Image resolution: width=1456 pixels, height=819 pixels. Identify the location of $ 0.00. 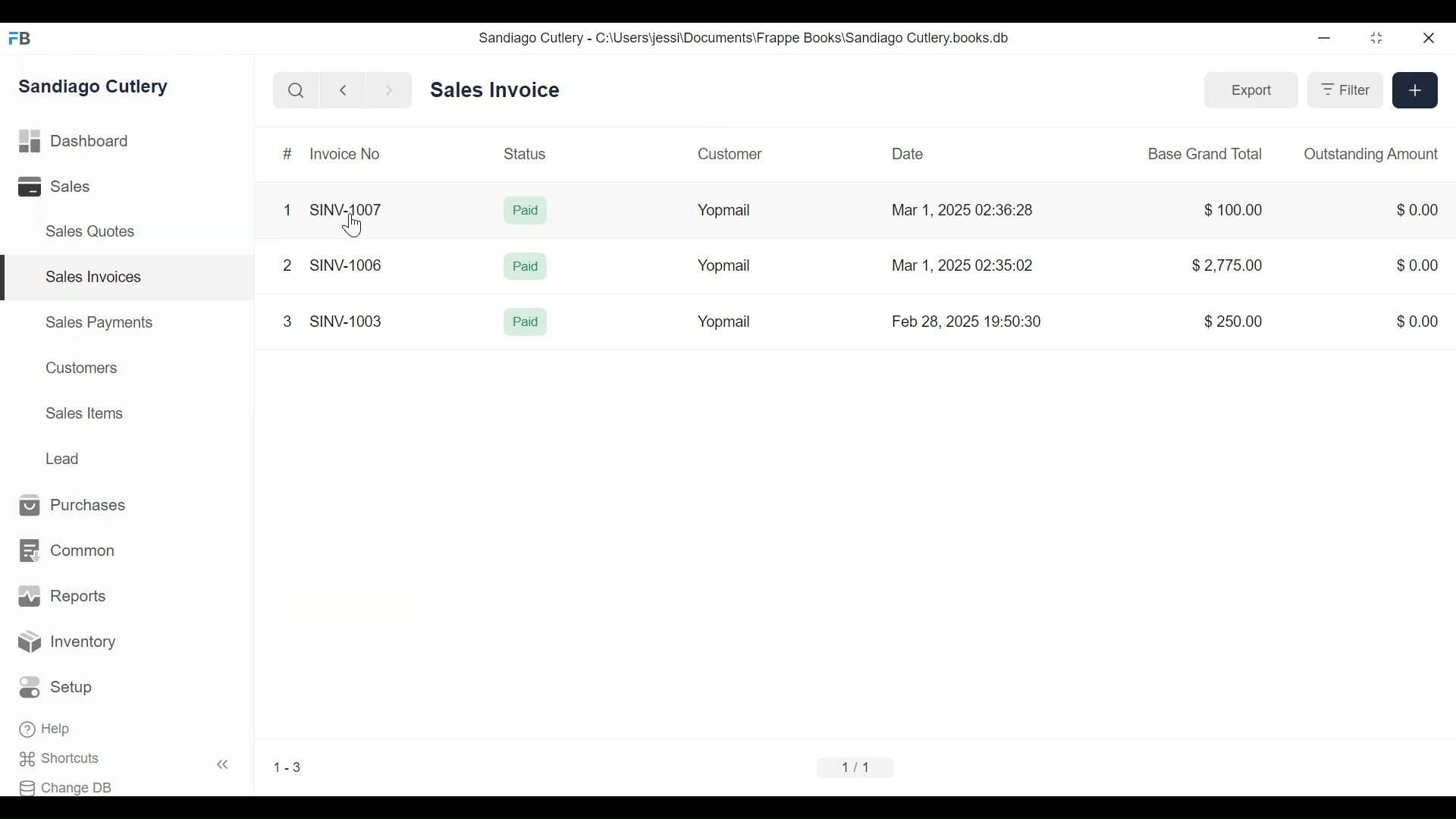
(1417, 322).